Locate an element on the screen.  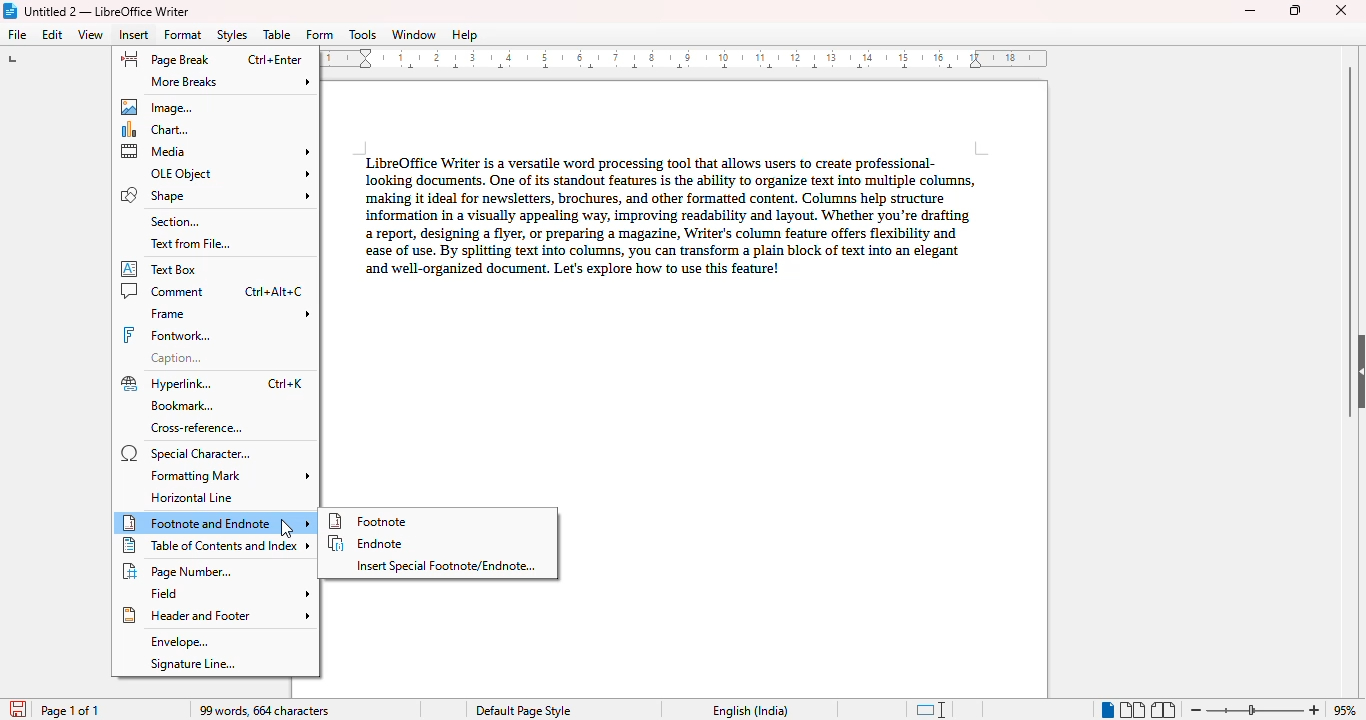
footnote and endnote is located at coordinates (216, 523).